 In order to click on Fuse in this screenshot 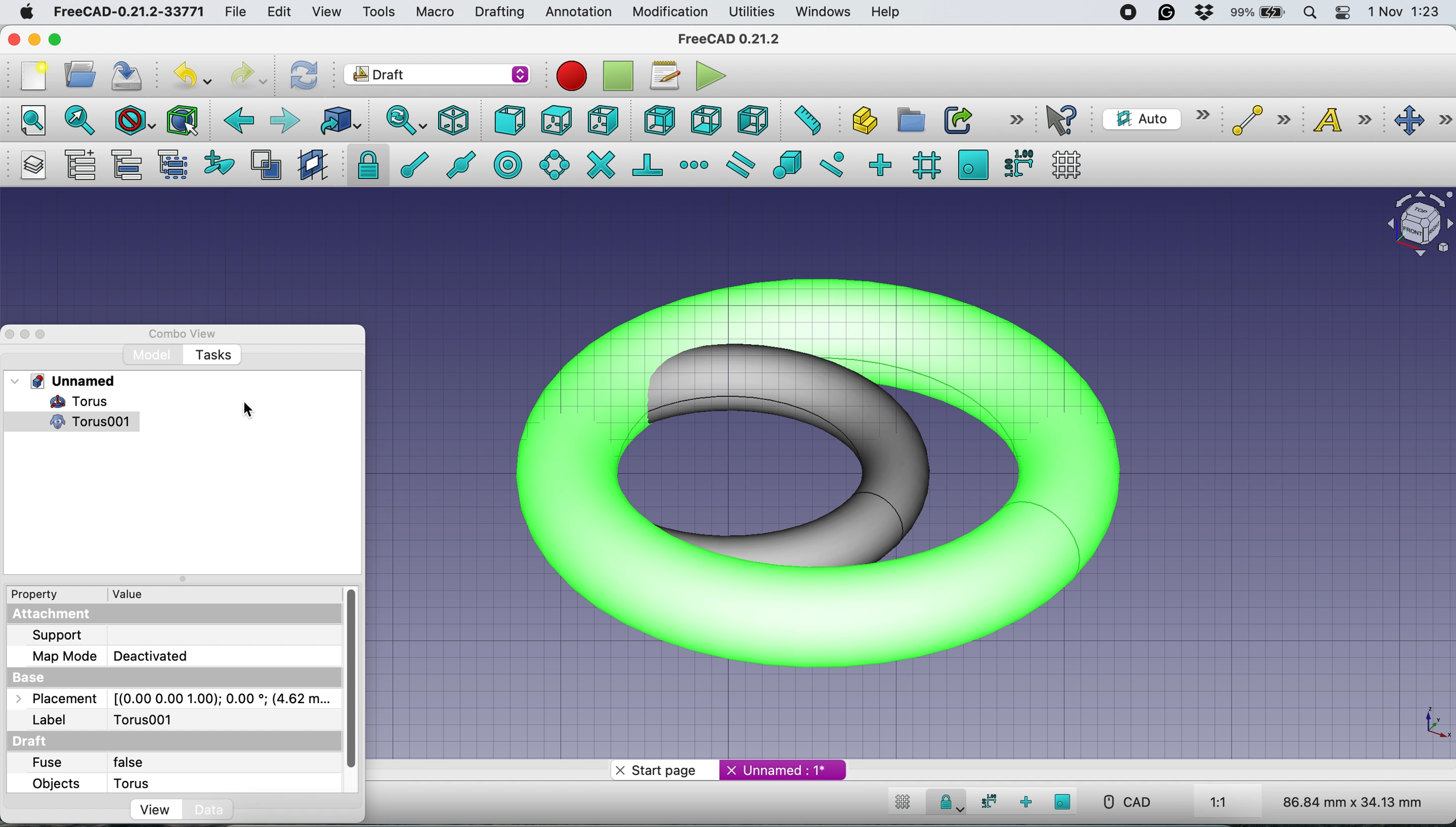, I will do `click(48, 763)`.